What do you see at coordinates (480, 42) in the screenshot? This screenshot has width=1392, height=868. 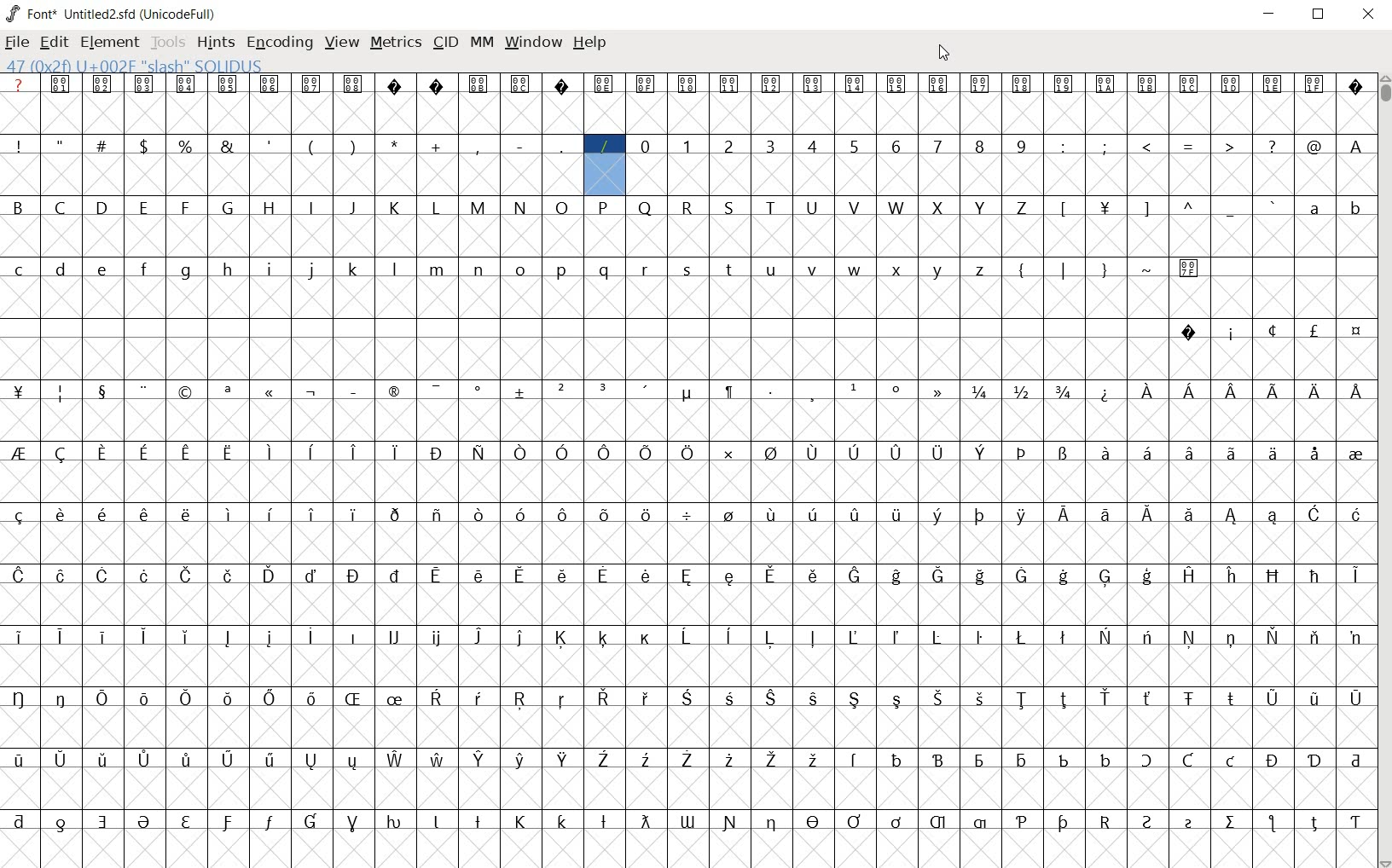 I see `MM` at bounding box center [480, 42].